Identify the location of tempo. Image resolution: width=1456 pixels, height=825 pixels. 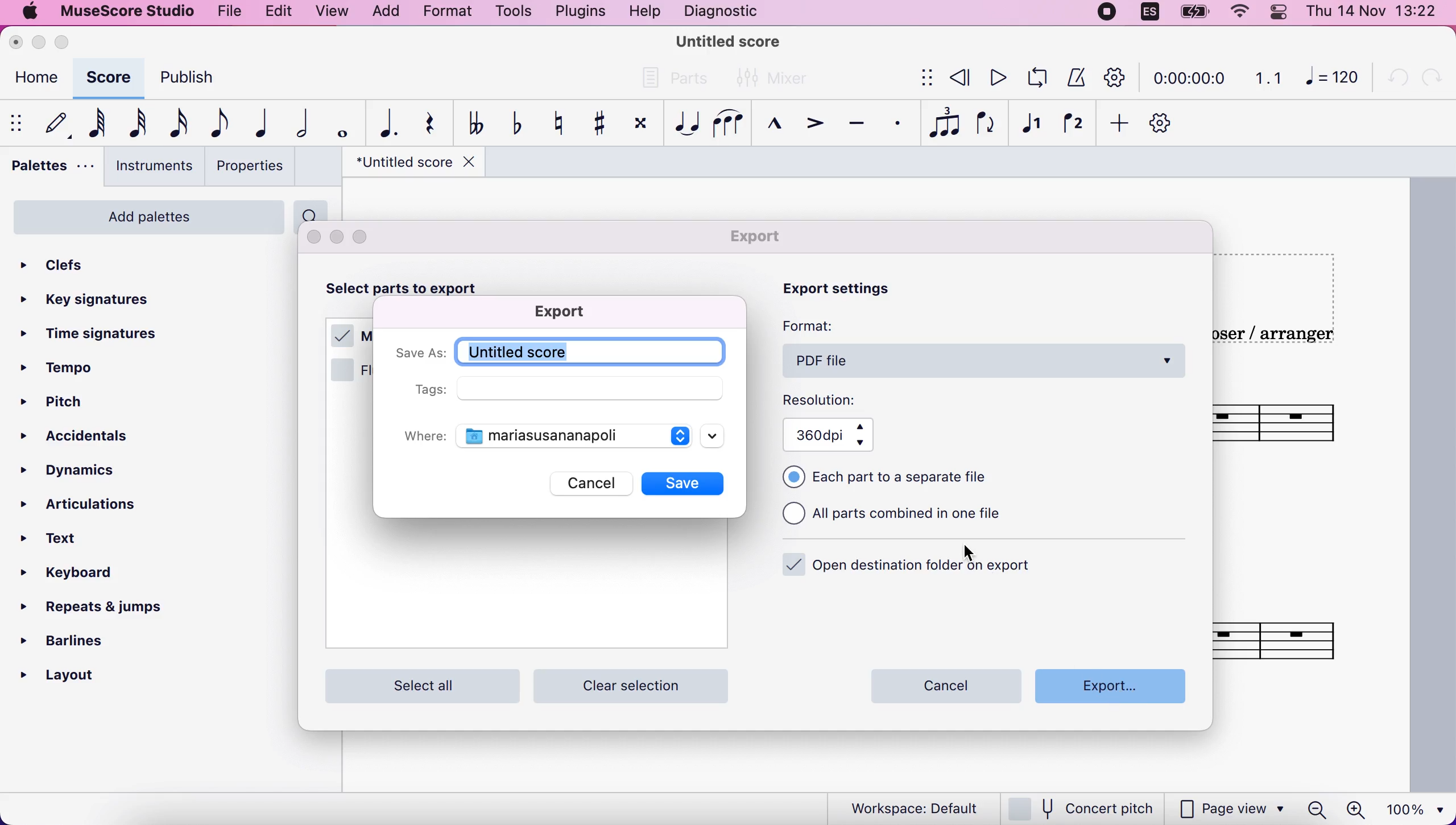
(76, 366).